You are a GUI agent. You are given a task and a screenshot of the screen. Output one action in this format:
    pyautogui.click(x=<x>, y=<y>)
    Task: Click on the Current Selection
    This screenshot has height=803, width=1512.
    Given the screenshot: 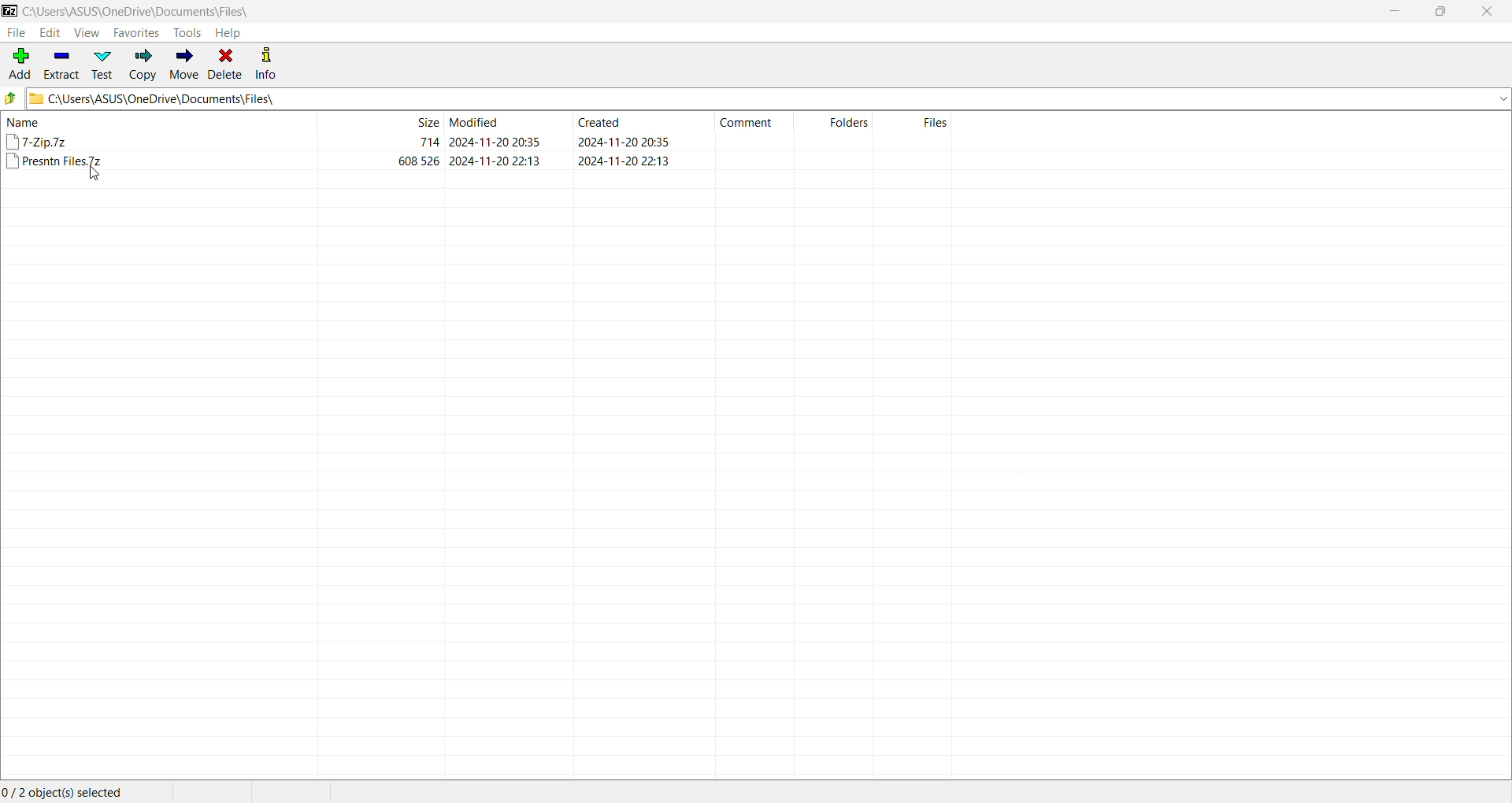 What is the action you would take?
    pyautogui.click(x=65, y=792)
    